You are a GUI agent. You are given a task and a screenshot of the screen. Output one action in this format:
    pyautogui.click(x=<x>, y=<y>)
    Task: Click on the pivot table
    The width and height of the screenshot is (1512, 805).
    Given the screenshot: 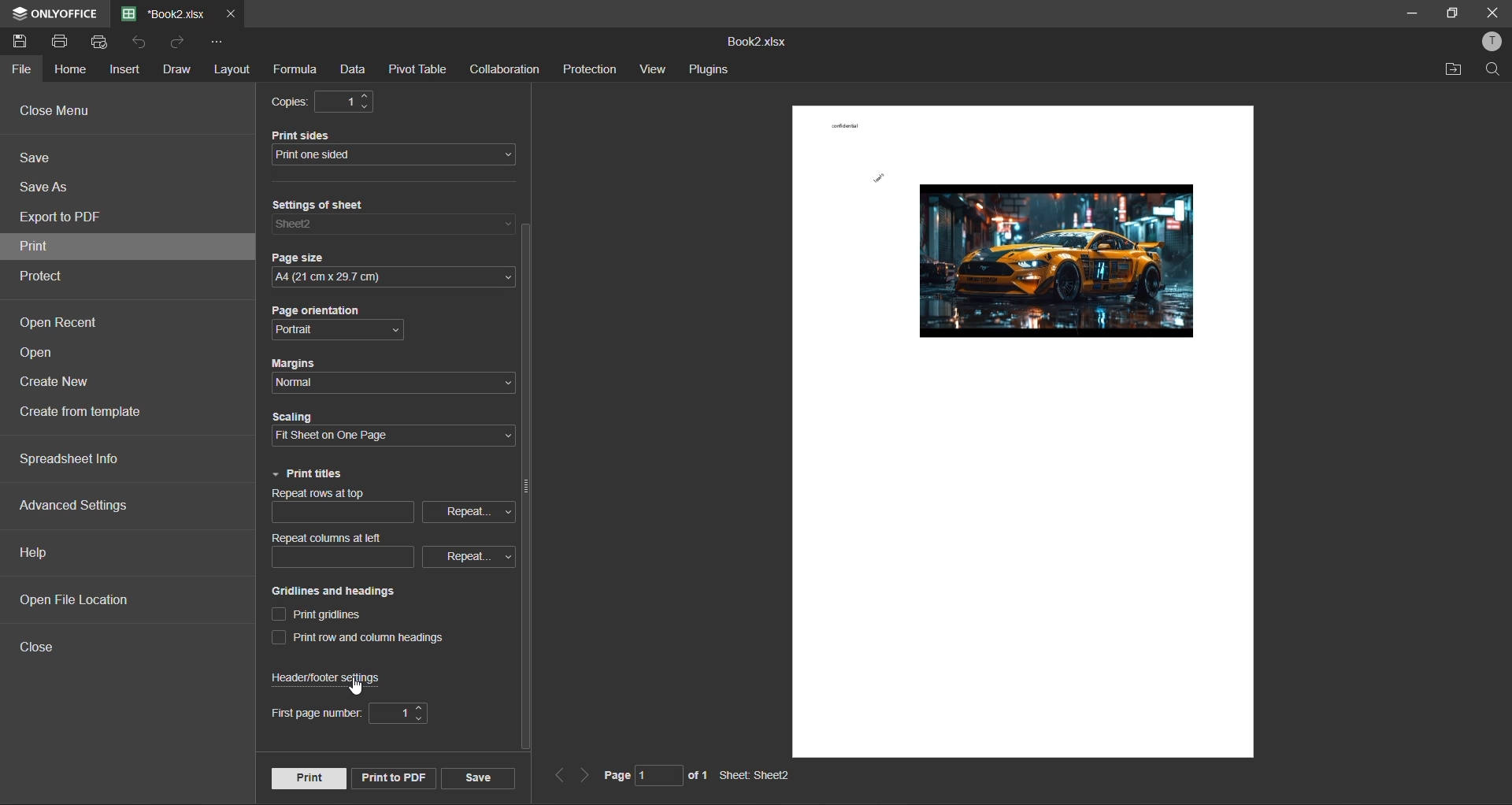 What is the action you would take?
    pyautogui.click(x=417, y=70)
    